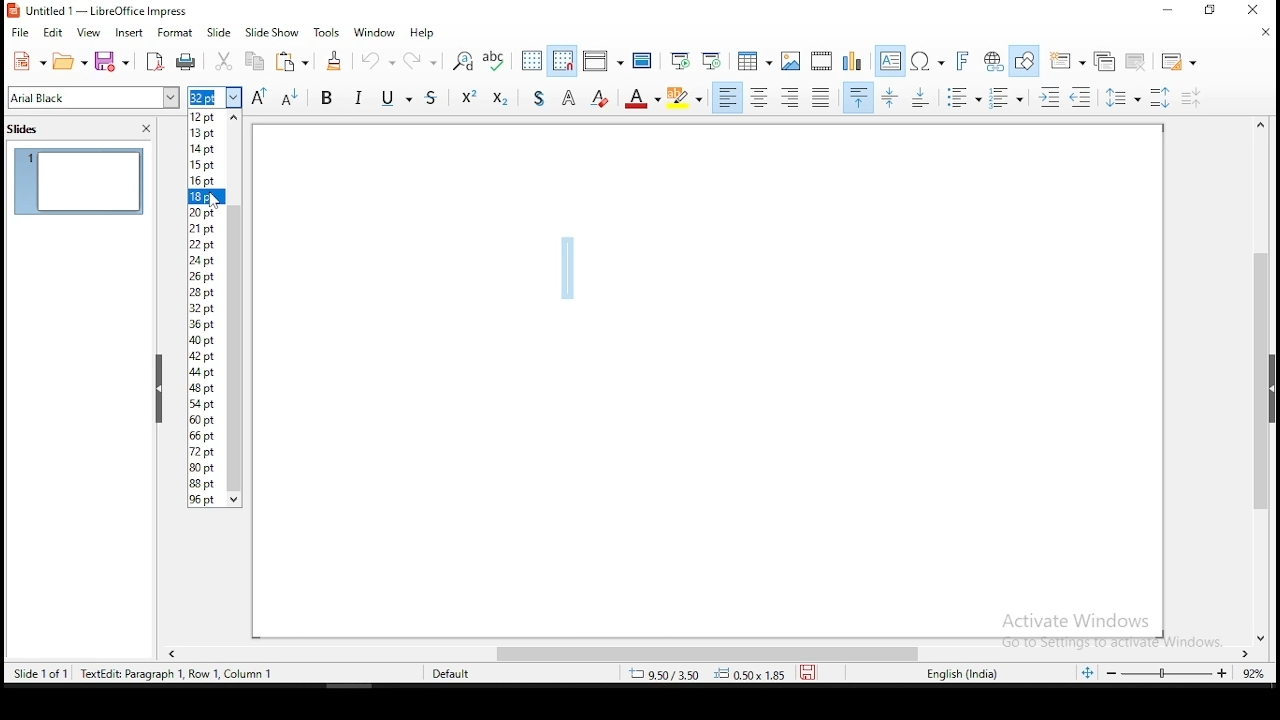 The image size is (1280, 720). I want to click on help, so click(423, 33).